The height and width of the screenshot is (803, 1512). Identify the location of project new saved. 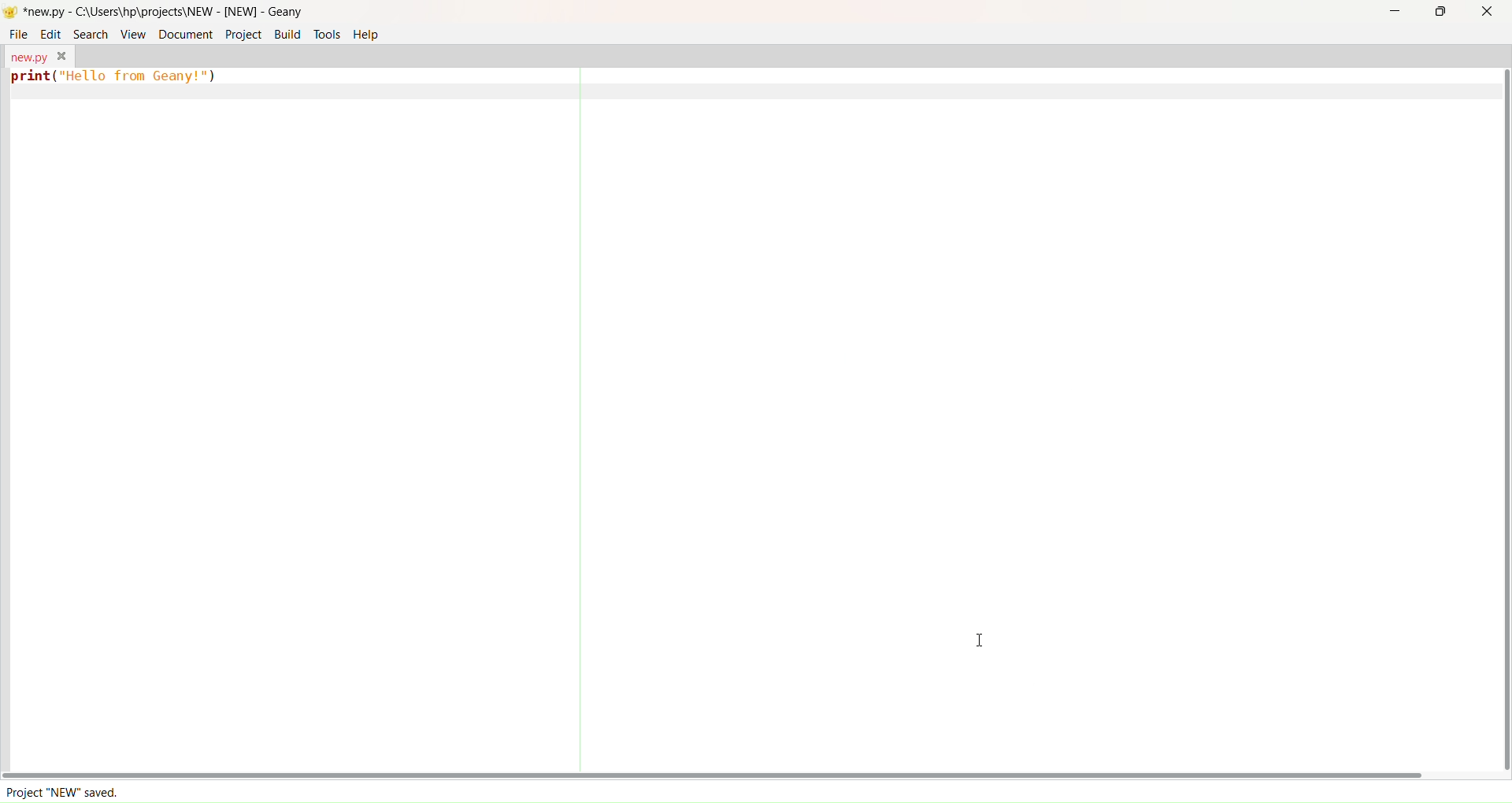
(71, 792).